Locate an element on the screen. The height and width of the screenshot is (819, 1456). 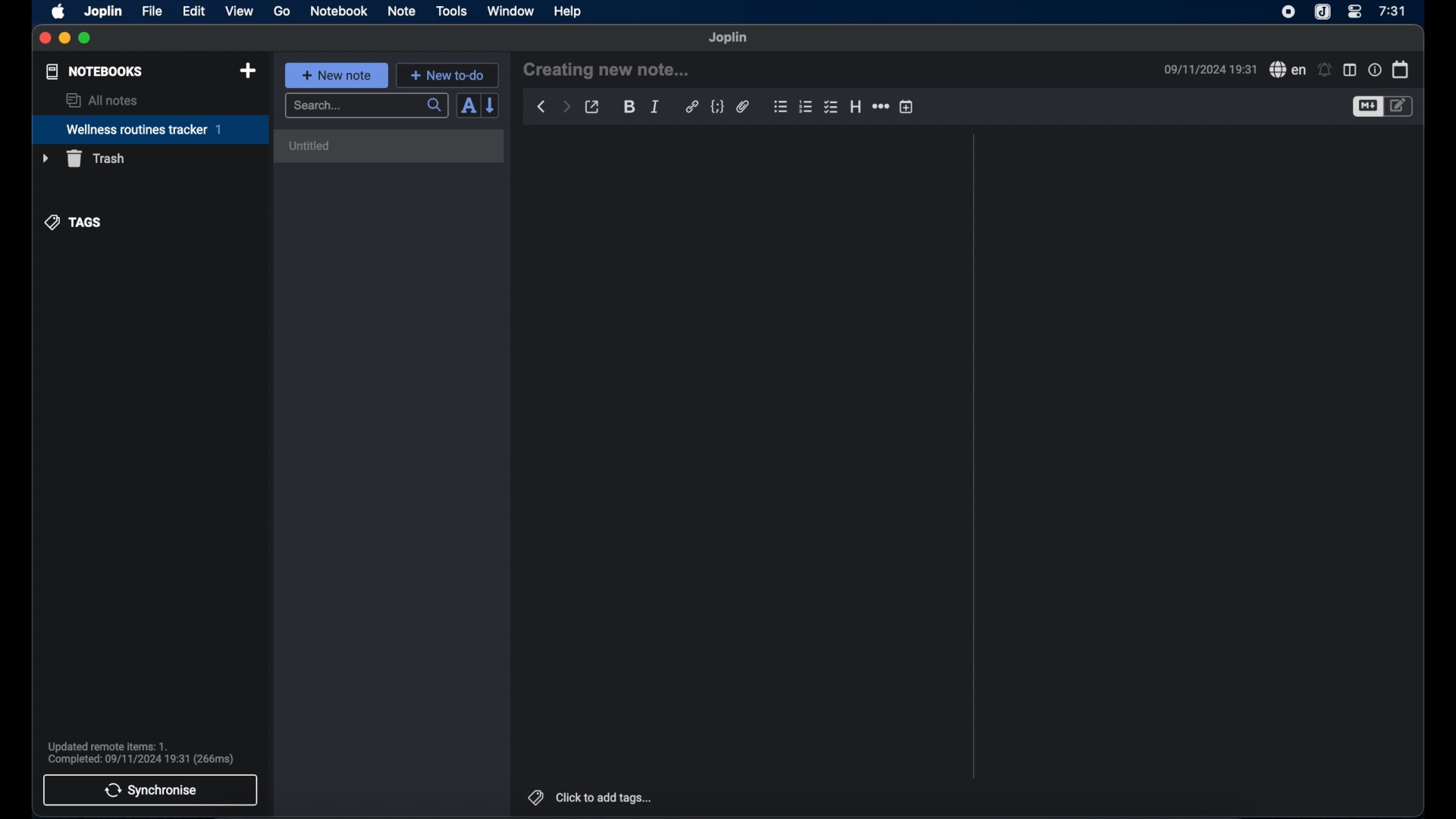
insert time is located at coordinates (906, 106).